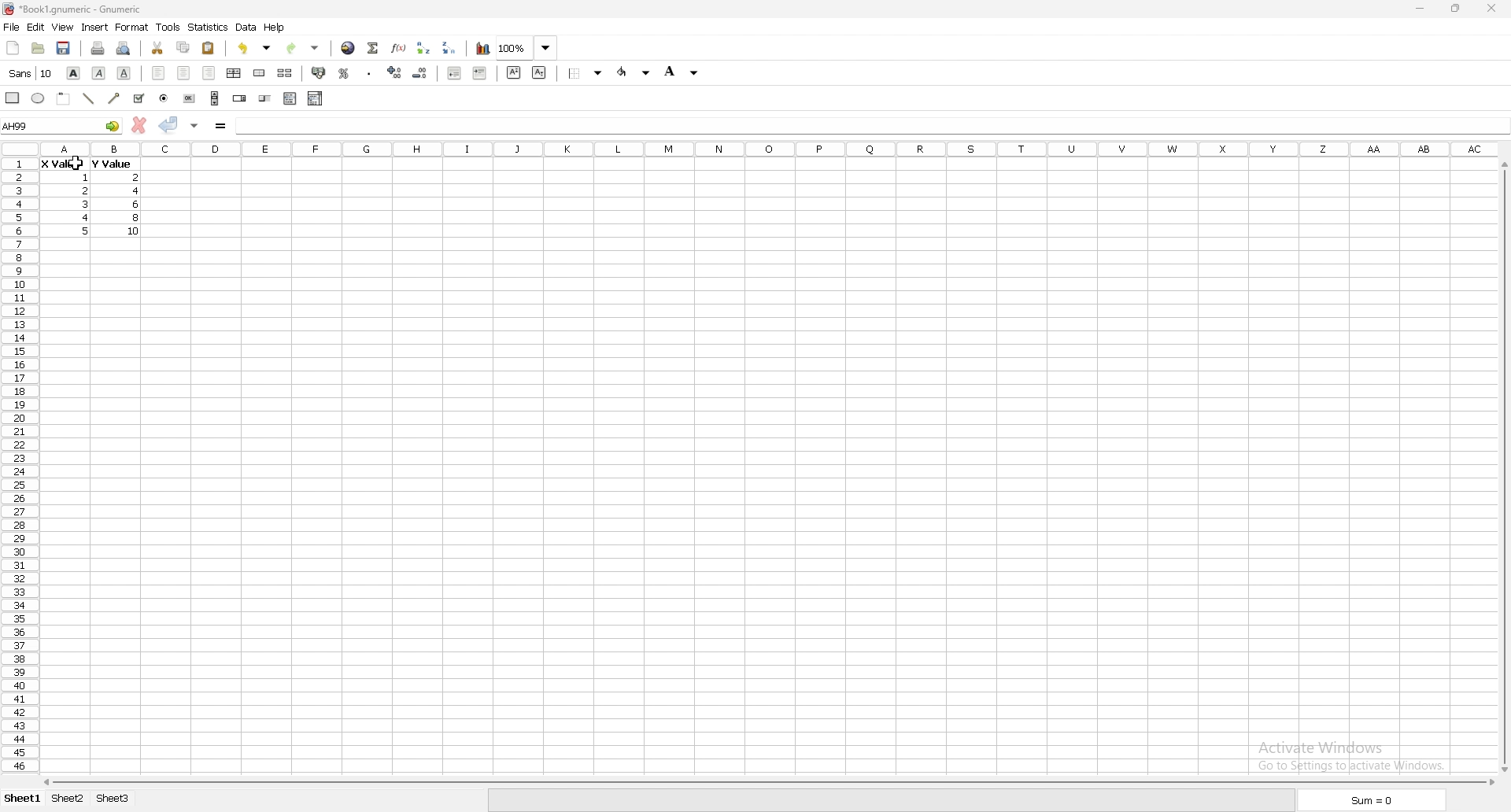 Image resolution: width=1511 pixels, height=812 pixels. What do you see at coordinates (87, 217) in the screenshot?
I see `value` at bounding box center [87, 217].